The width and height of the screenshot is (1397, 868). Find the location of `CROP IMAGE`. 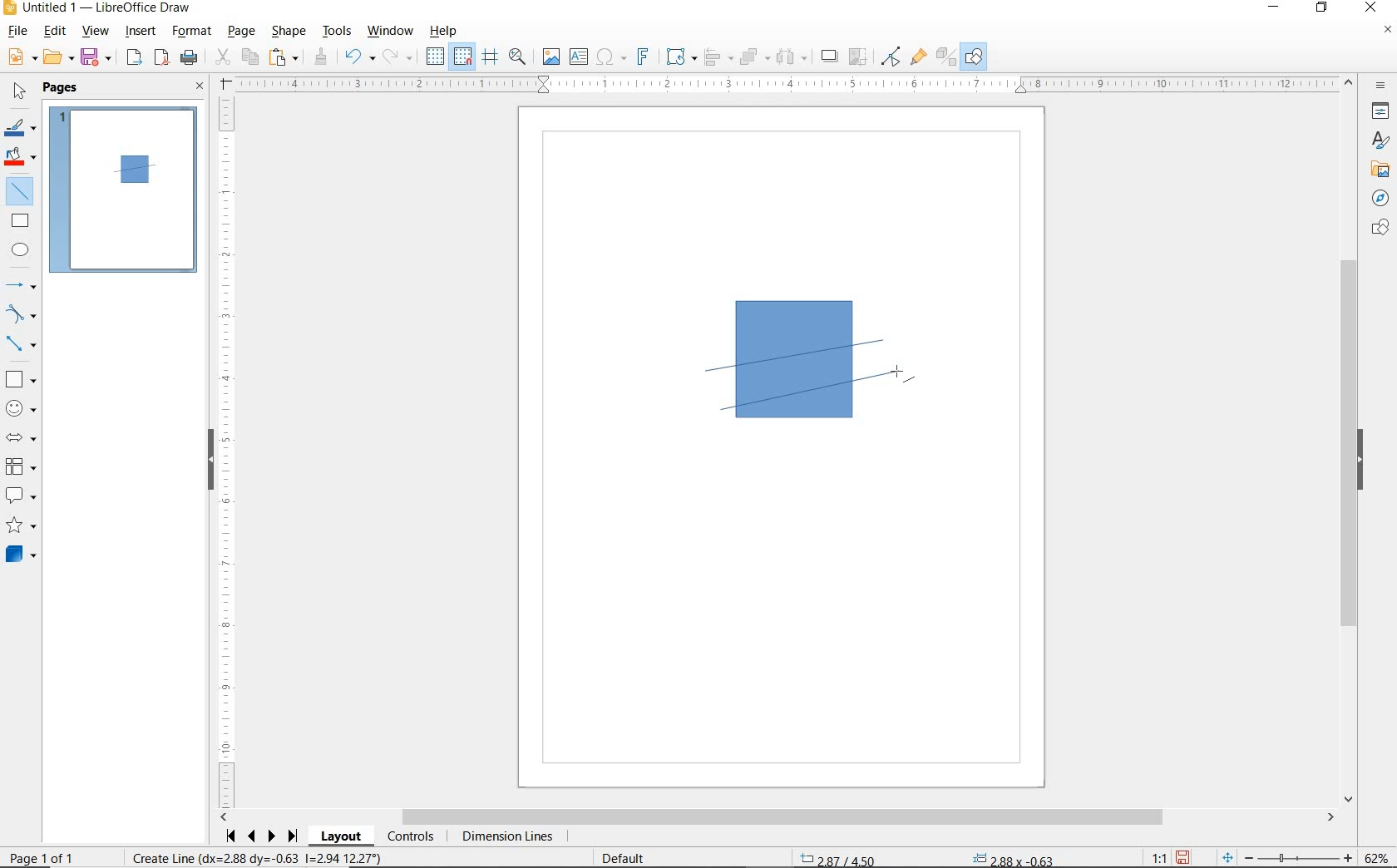

CROP IMAGE is located at coordinates (859, 57).